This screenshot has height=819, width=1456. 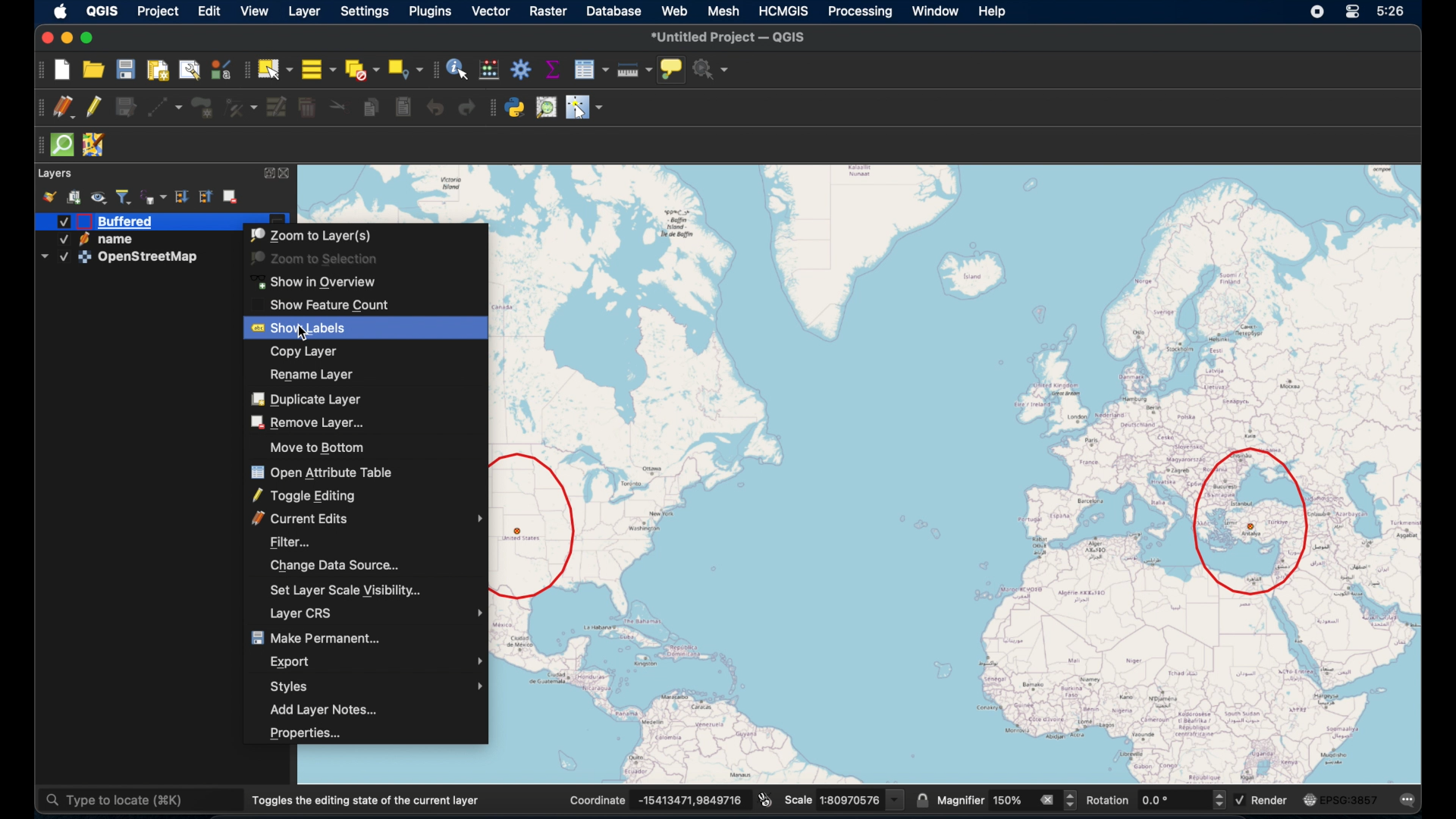 I want to click on coordinate, so click(x=598, y=799).